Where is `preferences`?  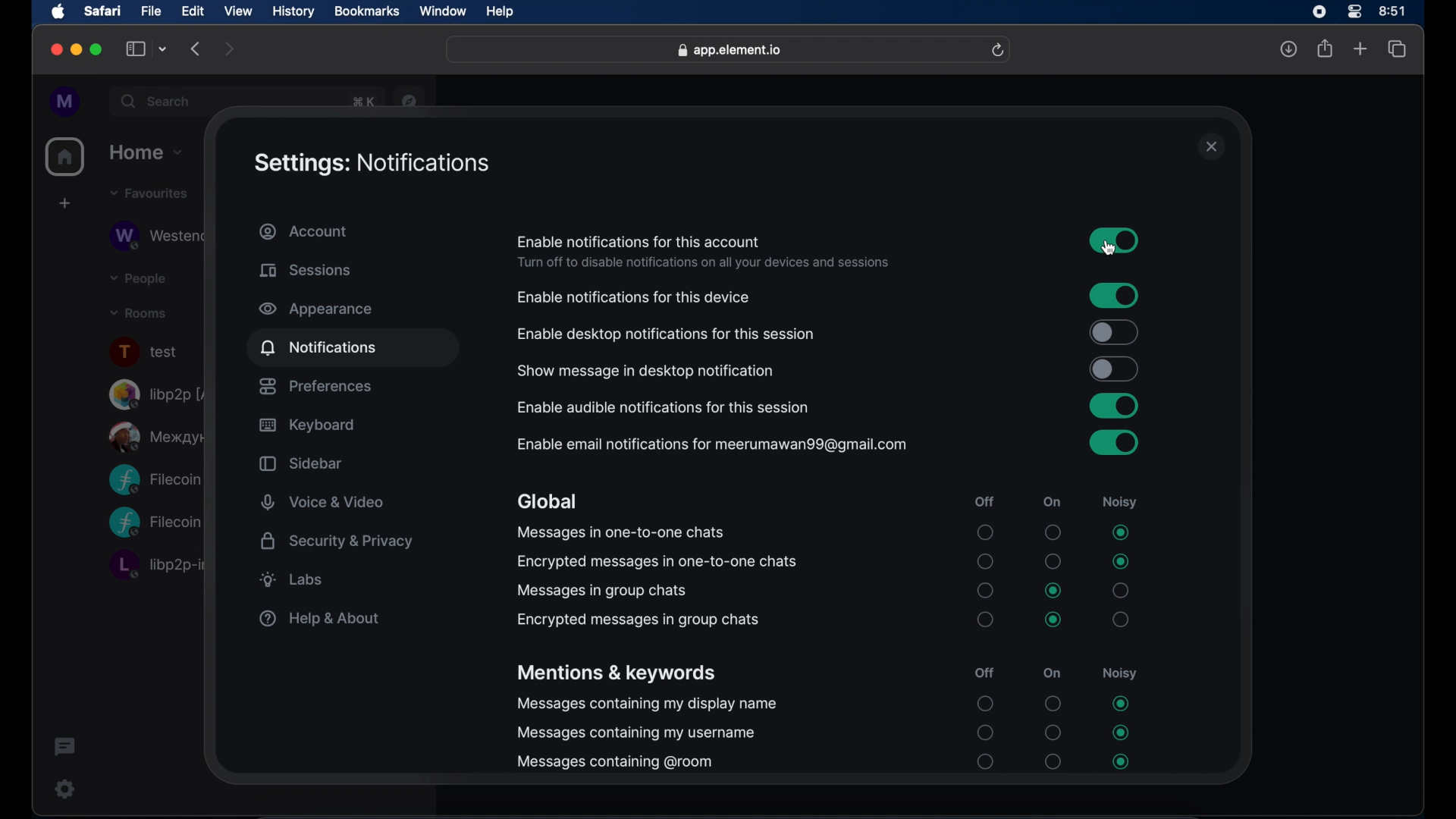
preferences is located at coordinates (315, 387).